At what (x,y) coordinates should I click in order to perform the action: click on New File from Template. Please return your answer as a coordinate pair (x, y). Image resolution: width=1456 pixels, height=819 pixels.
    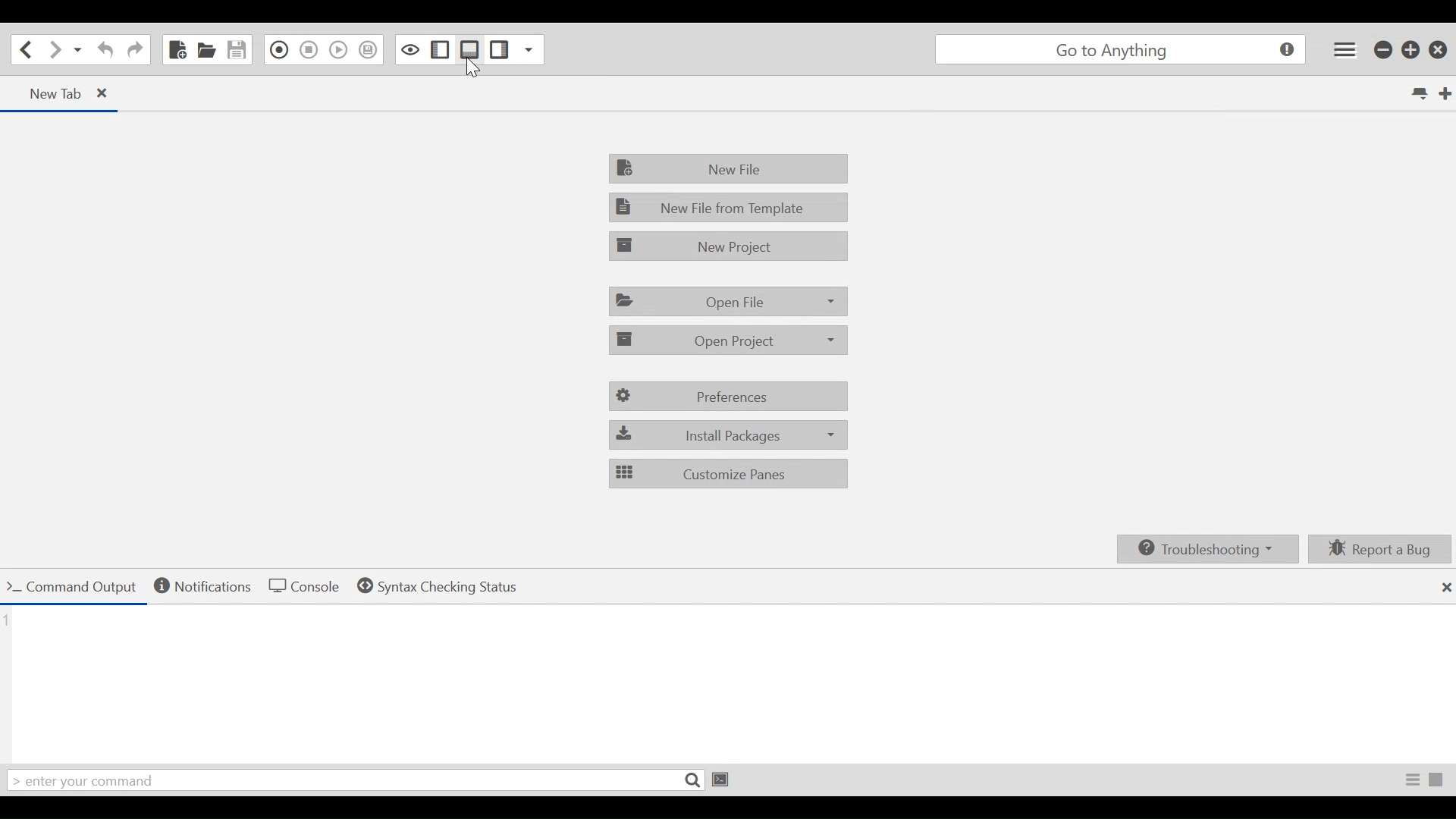
    Looking at the image, I should click on (730, 207).